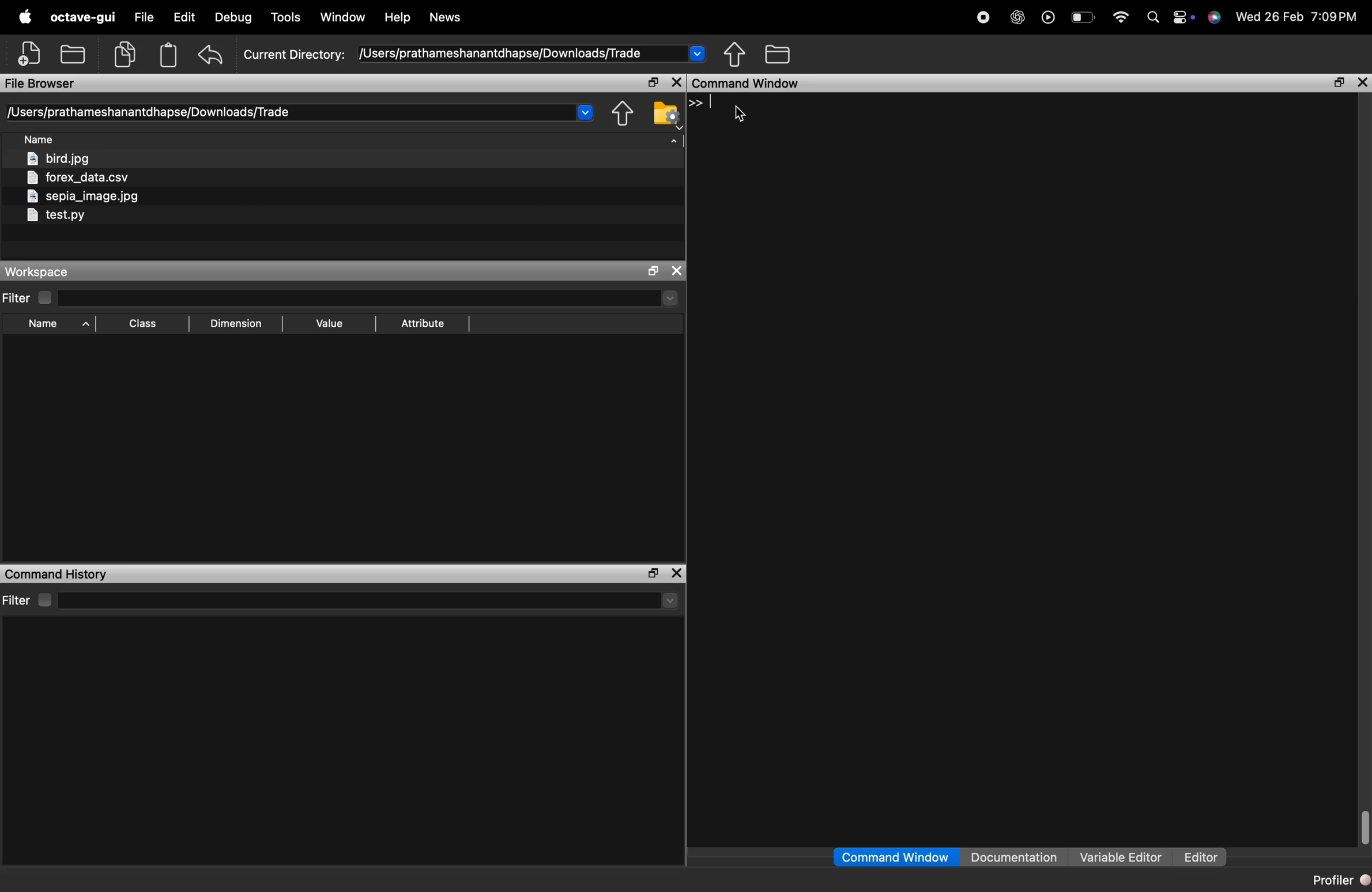  Describe the element at coordinates (1084, 18) in the screenshot. I see `battery` at that location.